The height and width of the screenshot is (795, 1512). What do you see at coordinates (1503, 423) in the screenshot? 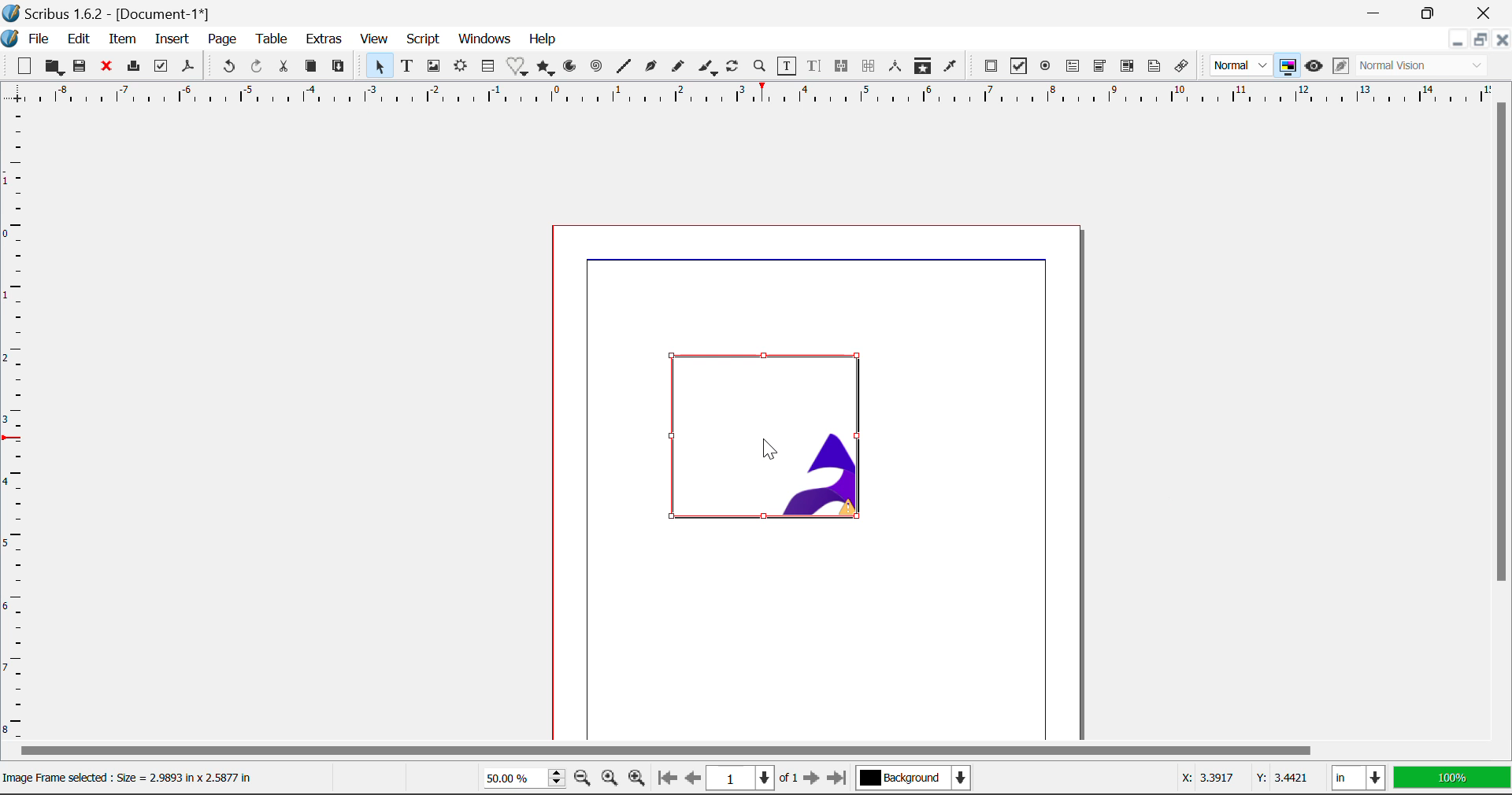
I see `Vertical Scroll Bar` at bounding box center [1503, 423].